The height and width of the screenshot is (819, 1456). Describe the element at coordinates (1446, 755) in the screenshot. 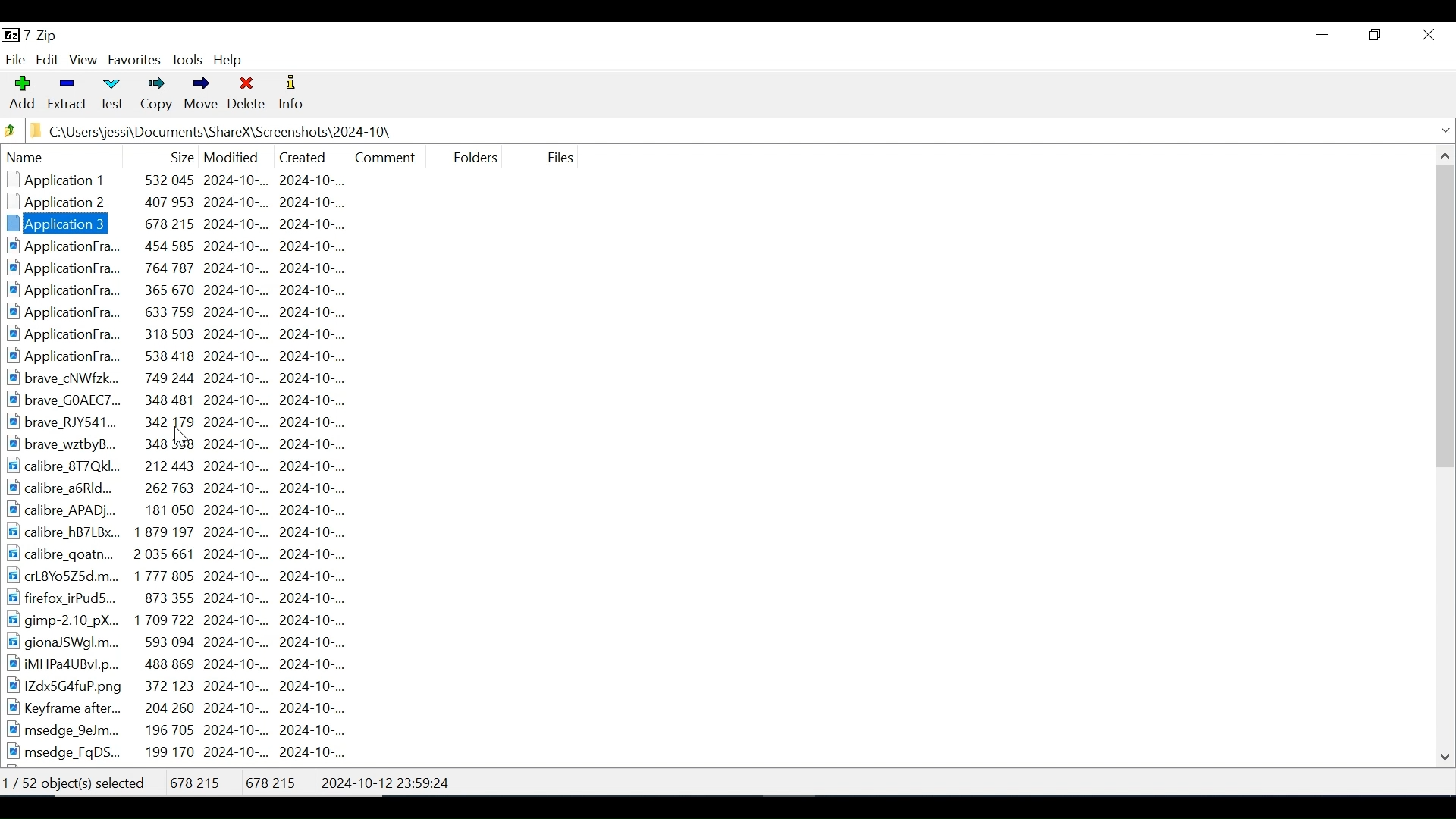

I see `Scroll down` at that location.